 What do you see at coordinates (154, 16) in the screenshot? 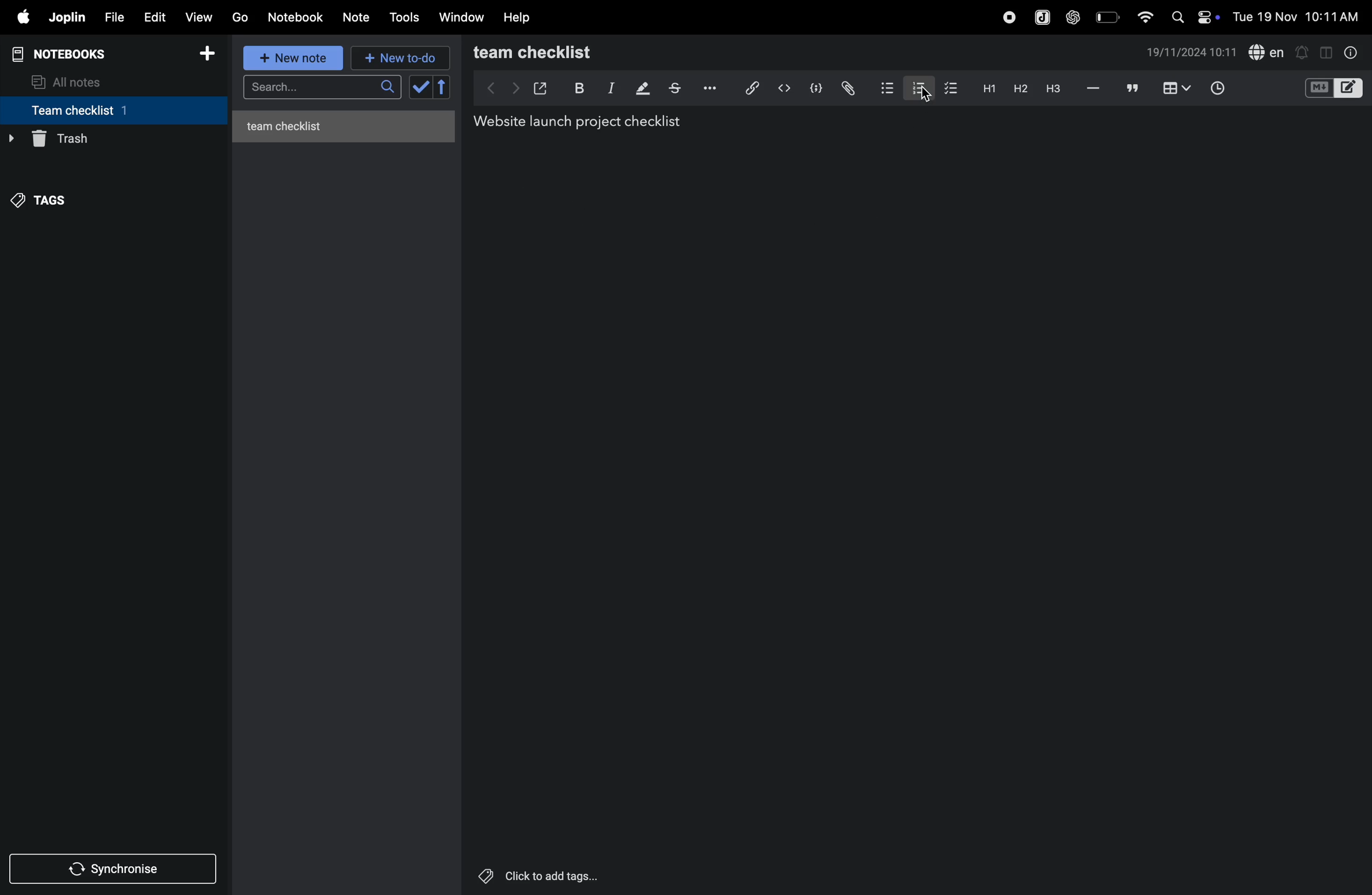
I see `edit` at bounding box center [154, 16].